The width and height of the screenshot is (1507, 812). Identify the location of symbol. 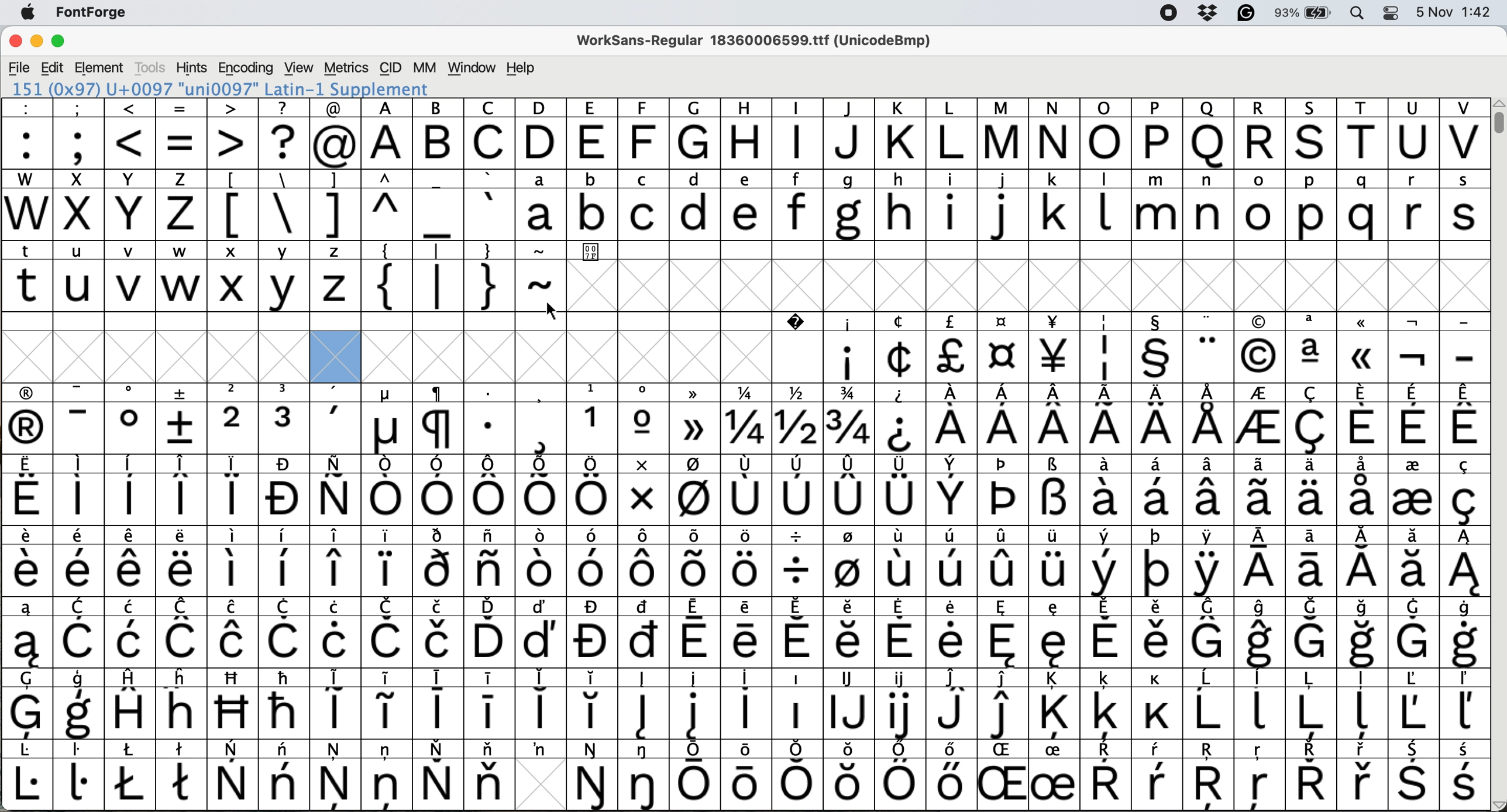
(952, 349).